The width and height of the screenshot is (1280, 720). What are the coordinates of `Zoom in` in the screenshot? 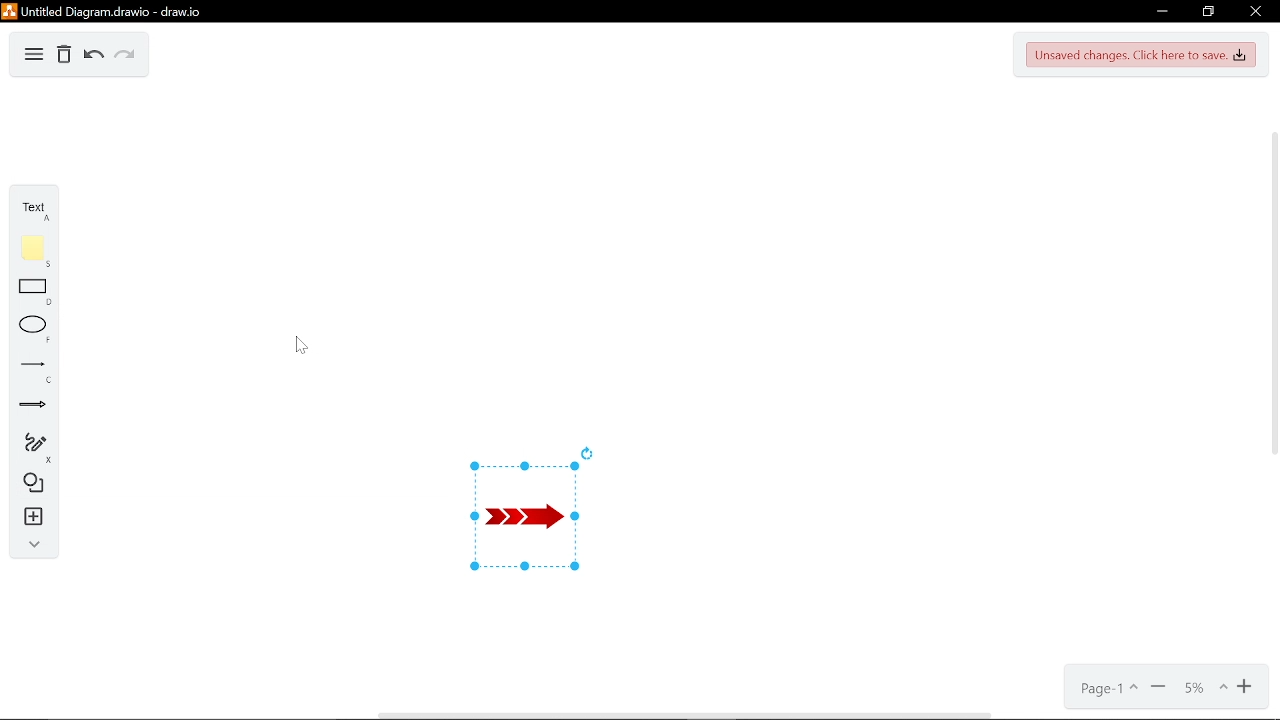 It's located at (1242, 685).